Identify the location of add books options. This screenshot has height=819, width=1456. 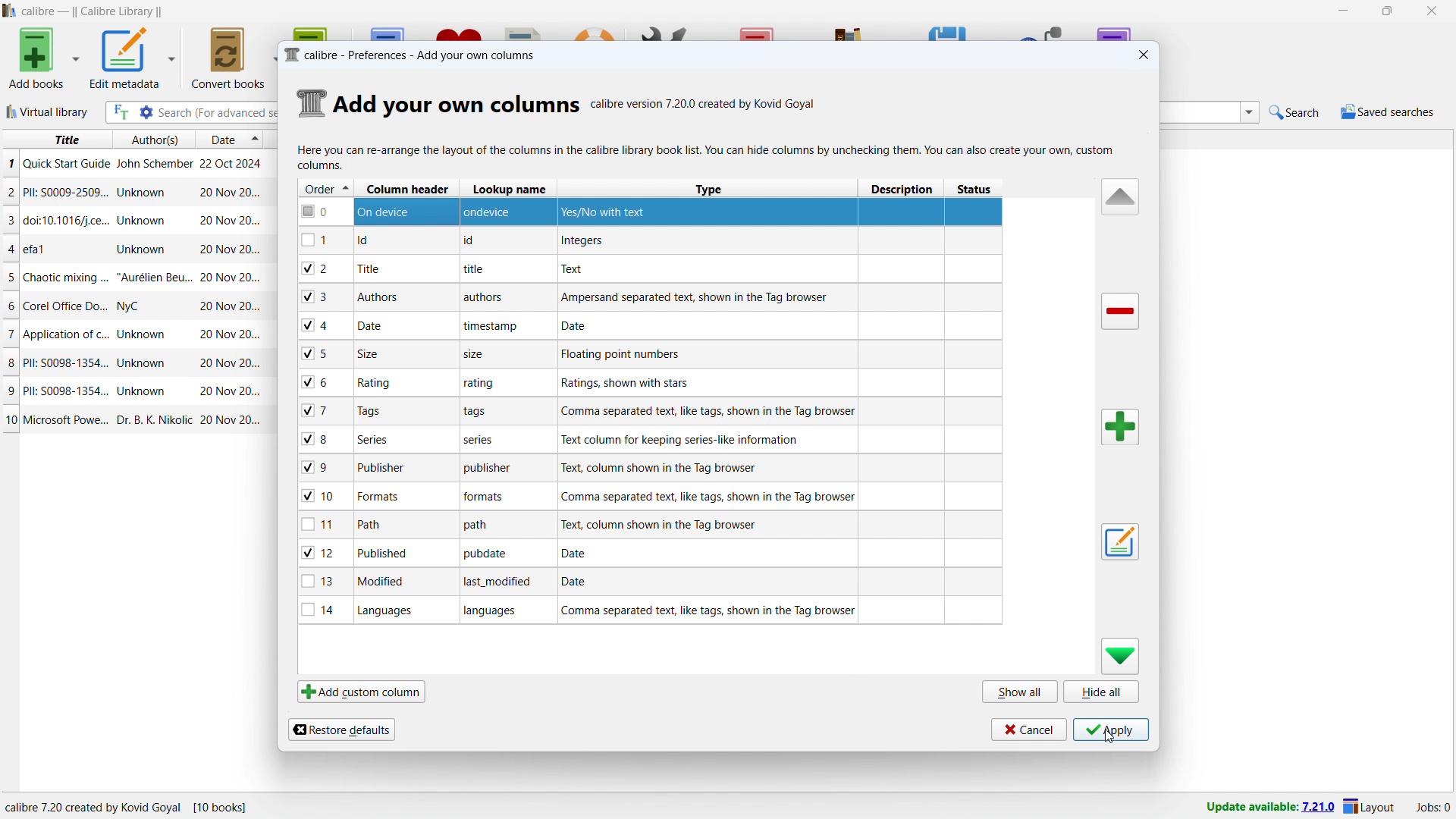
(76, 57).